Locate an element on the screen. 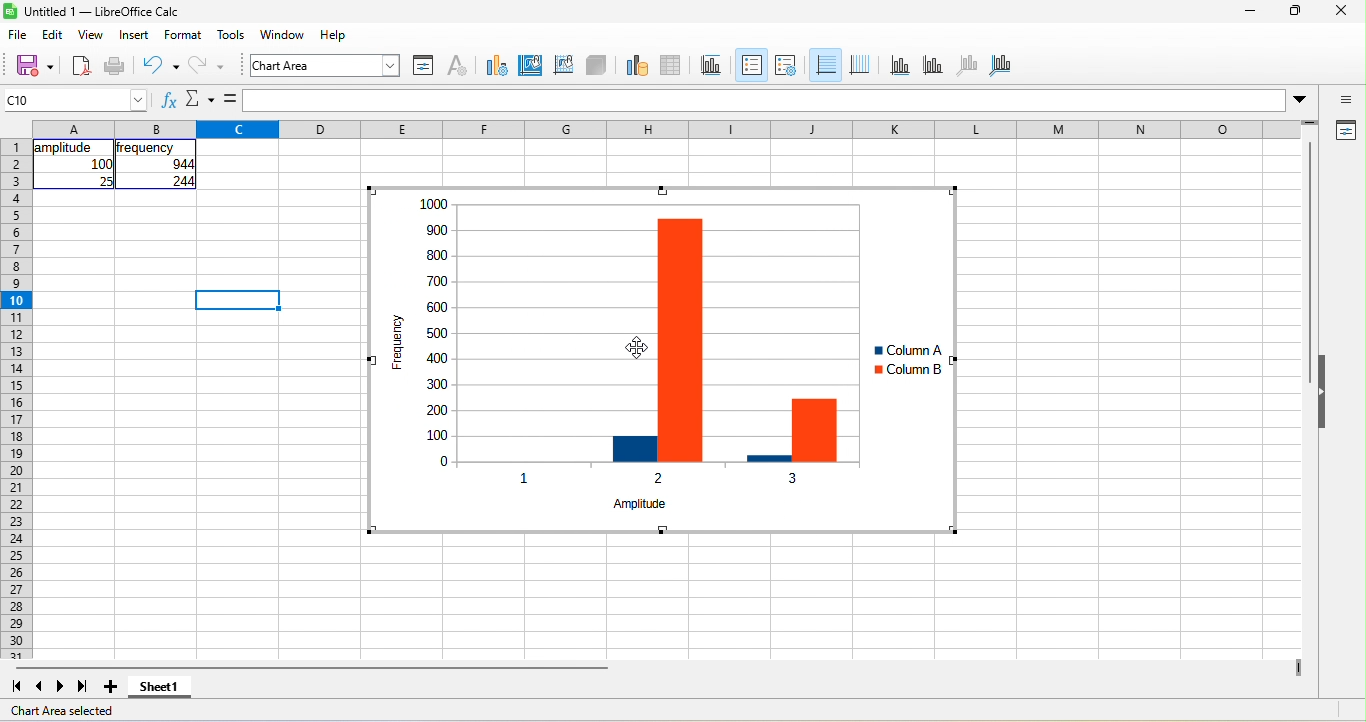 Image resolution: width=1366 pixels, height=722 pixels. chart wall is located at coordinates (563, 66).